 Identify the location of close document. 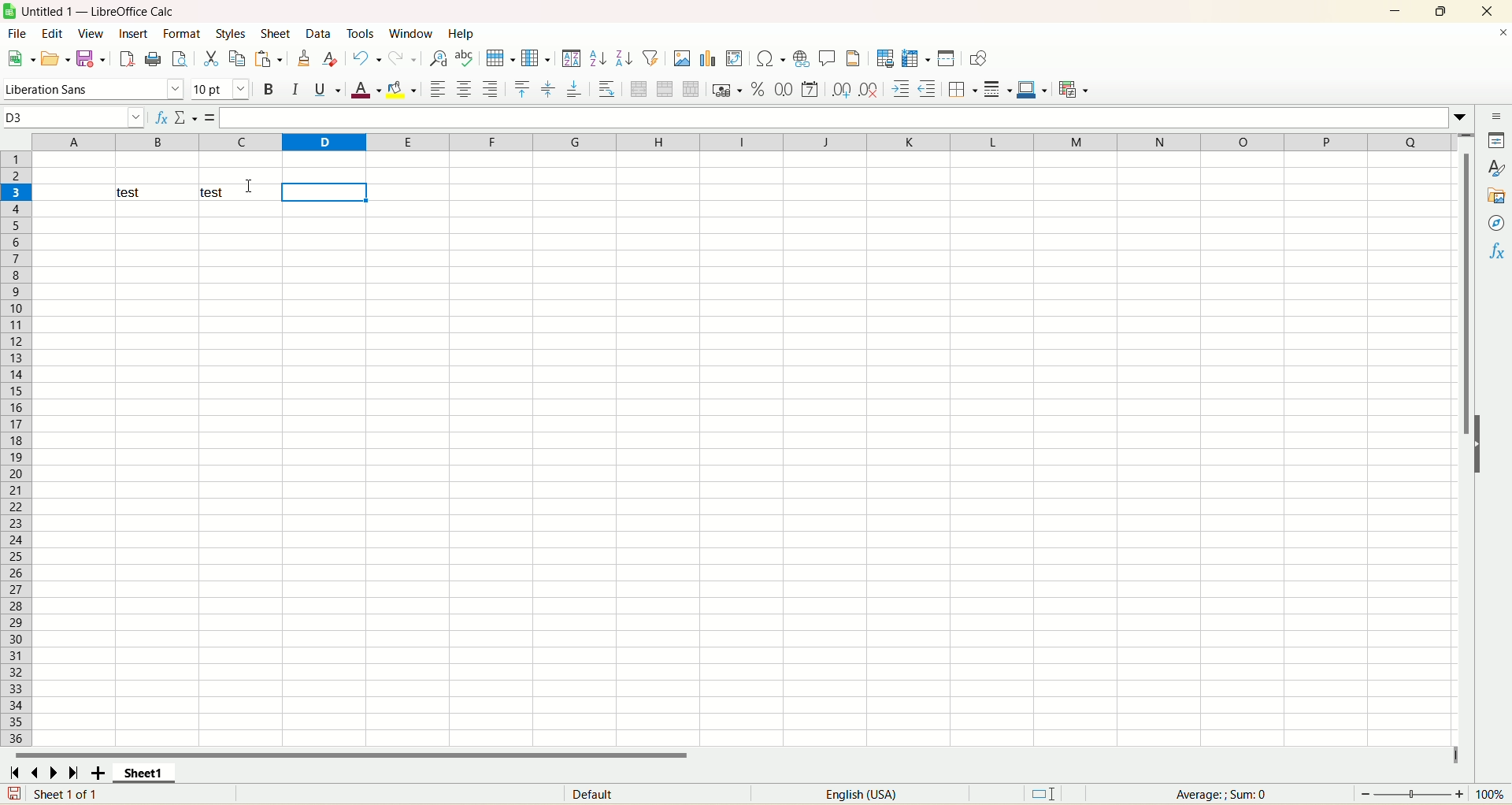
(1501, 33).